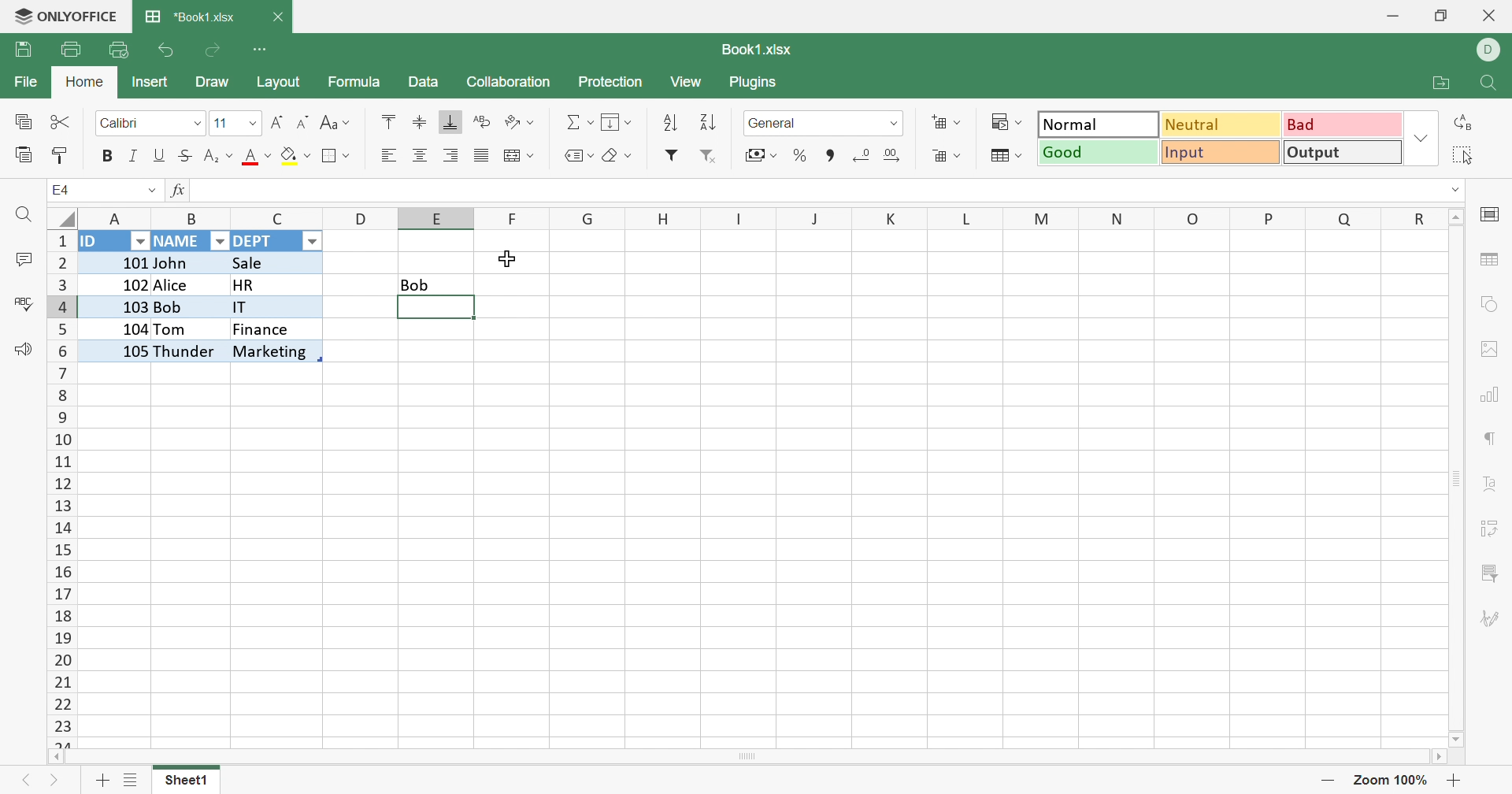 This screenshot has height=794, width=1512. What do you see at coordinates (1491, 529) in the screenshot?
I see `Pivot Table settings` at bounding box center [1491, 529].